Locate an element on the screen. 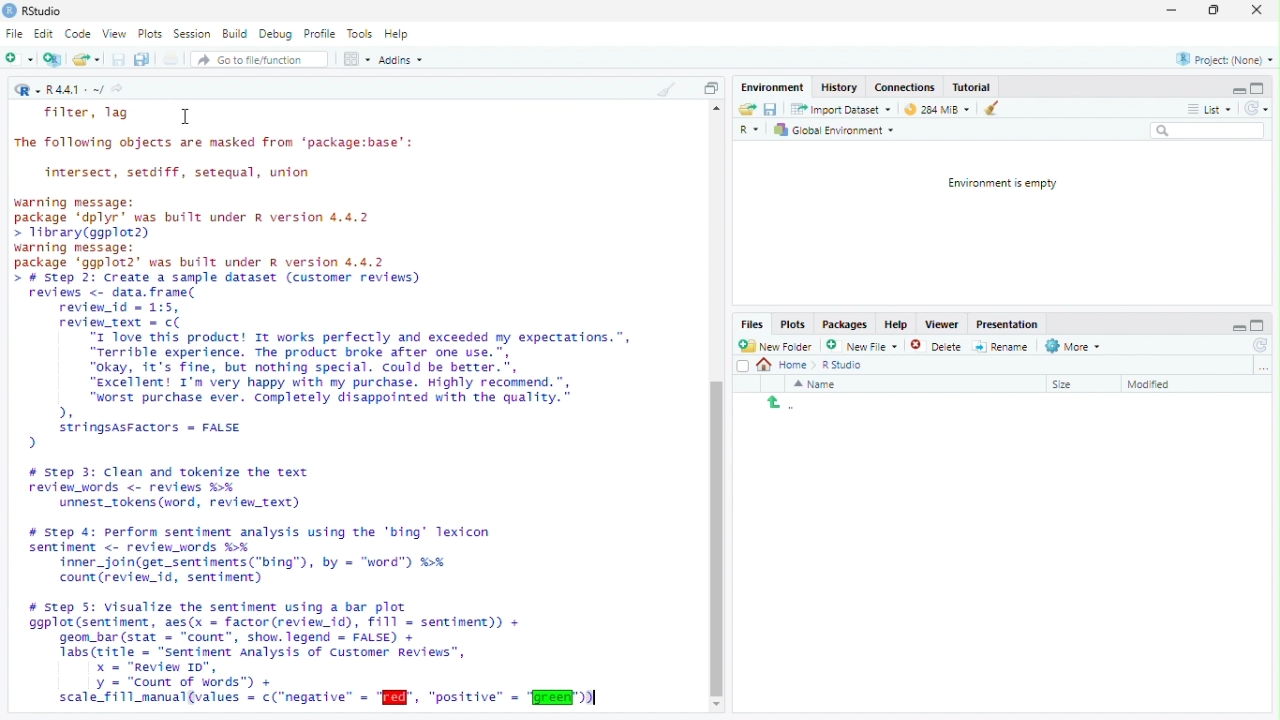 The width and height of the screenshot is (1280, 720). # Step 5: visualize the sentiment using a bar plot
ggplot (sentiment, aes(x = factor (review_id), 111 = sentiment) +
geom_bar (stat = “count”, show.legend = FALSE) +
Tabs(title = "sentiment Analysis of Customer Reviews",
x = "Review 10",
y = “Count of Words") +
scale_fi11_manual(values = c("negative” = Jill", "positive" = EER) is located at coordinates (323, 653).